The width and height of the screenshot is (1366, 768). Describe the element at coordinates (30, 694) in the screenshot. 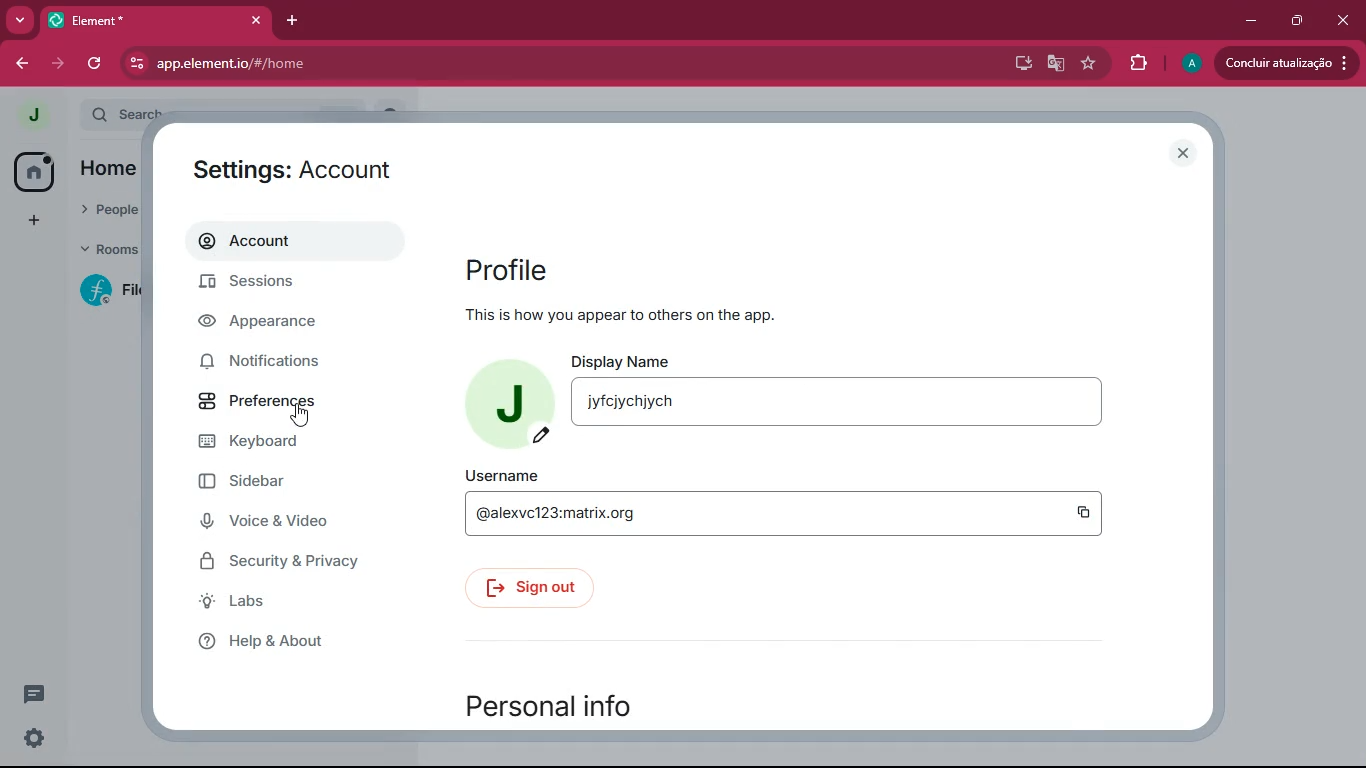

I see `comments` at that location.